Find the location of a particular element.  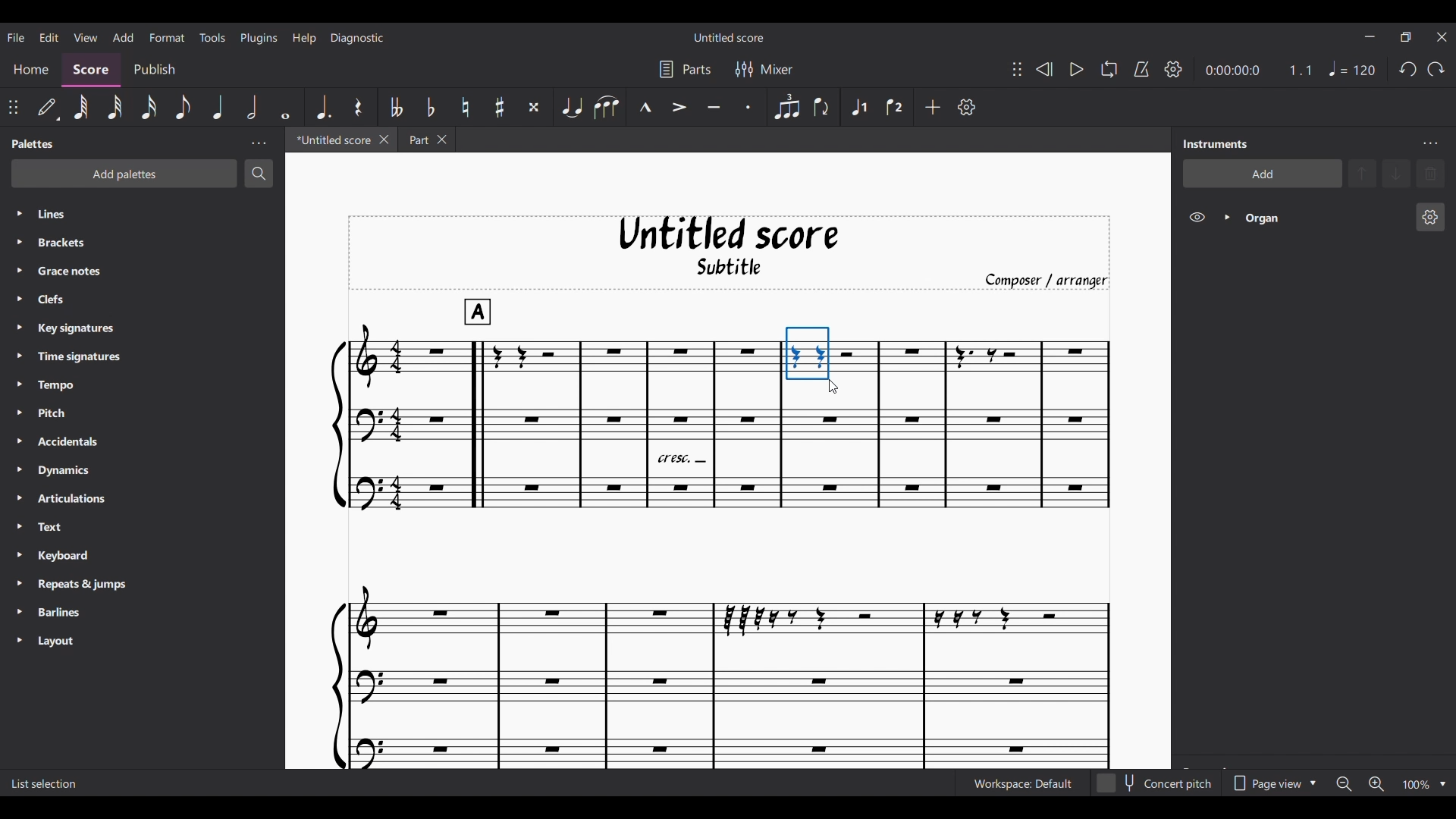

Close interface is located at coordinates (1442, 36).